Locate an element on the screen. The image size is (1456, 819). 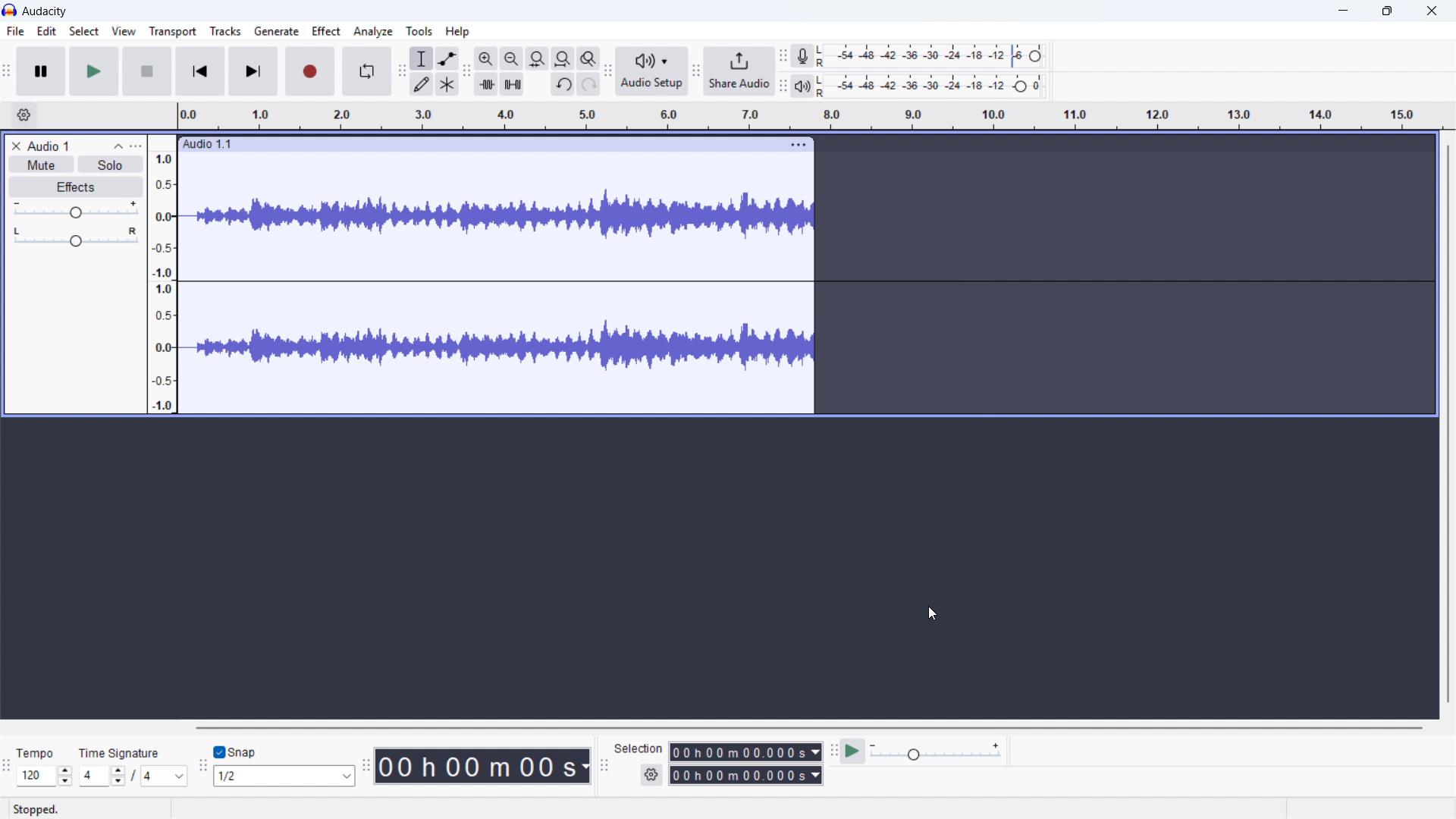
Amplitude  is located at coordinates (162, 274).